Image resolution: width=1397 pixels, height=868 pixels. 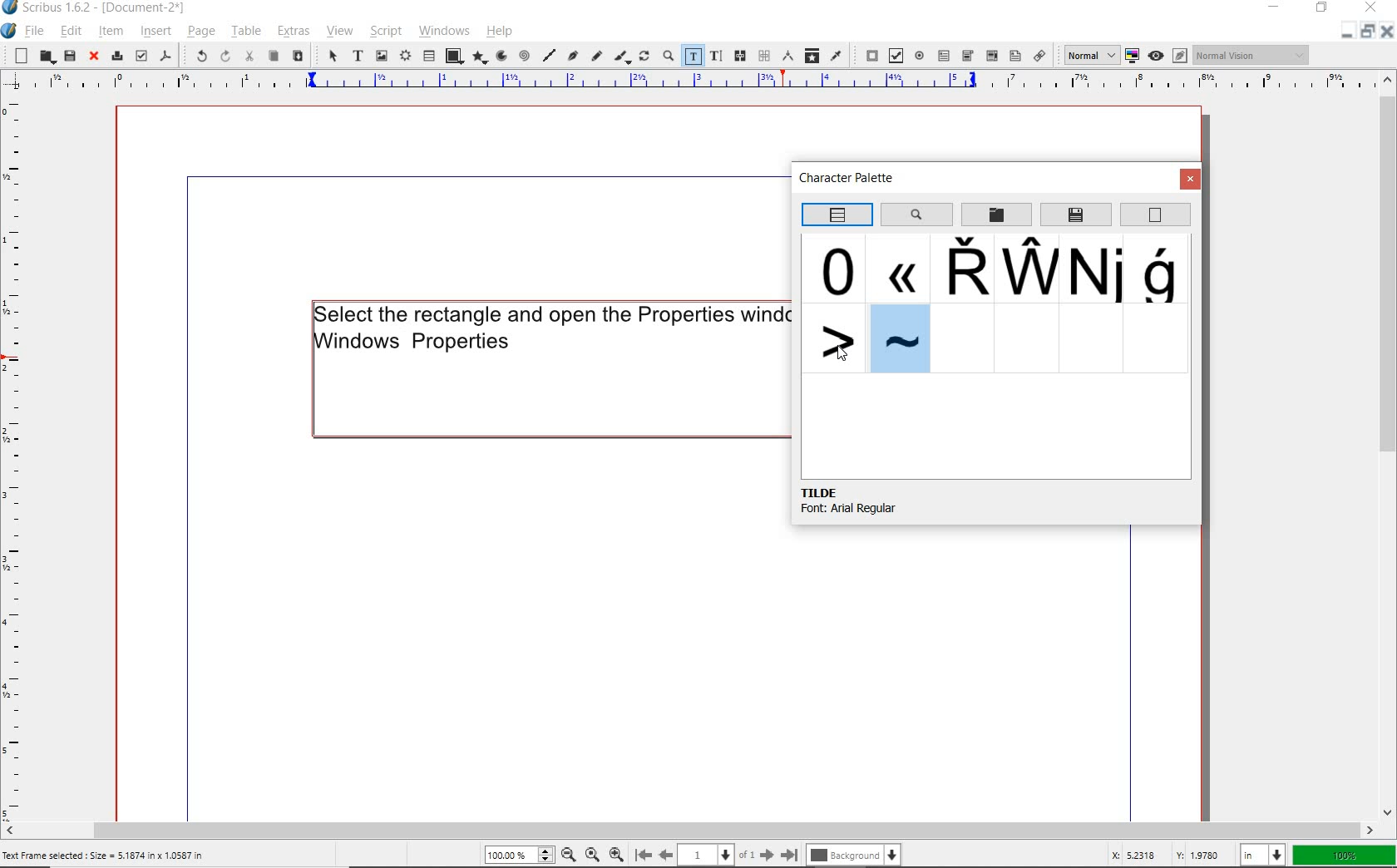 I want to click on restore, so click(x=1322, y=9).